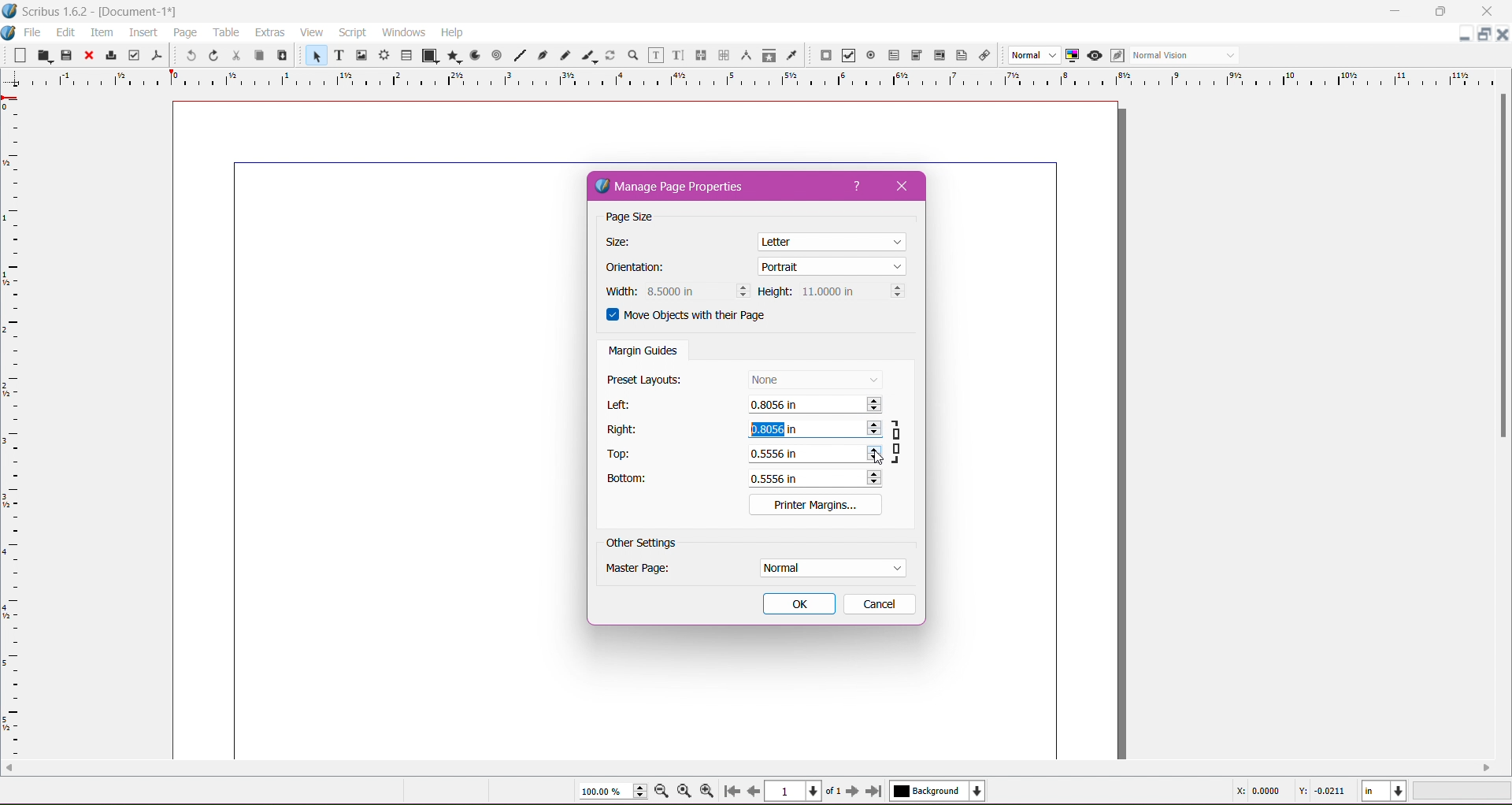 This screenshot has width=1512, height=805. Describe the element at coordinates (769, 55) in the screenshot. I see `Copy Item Properties` at that location.